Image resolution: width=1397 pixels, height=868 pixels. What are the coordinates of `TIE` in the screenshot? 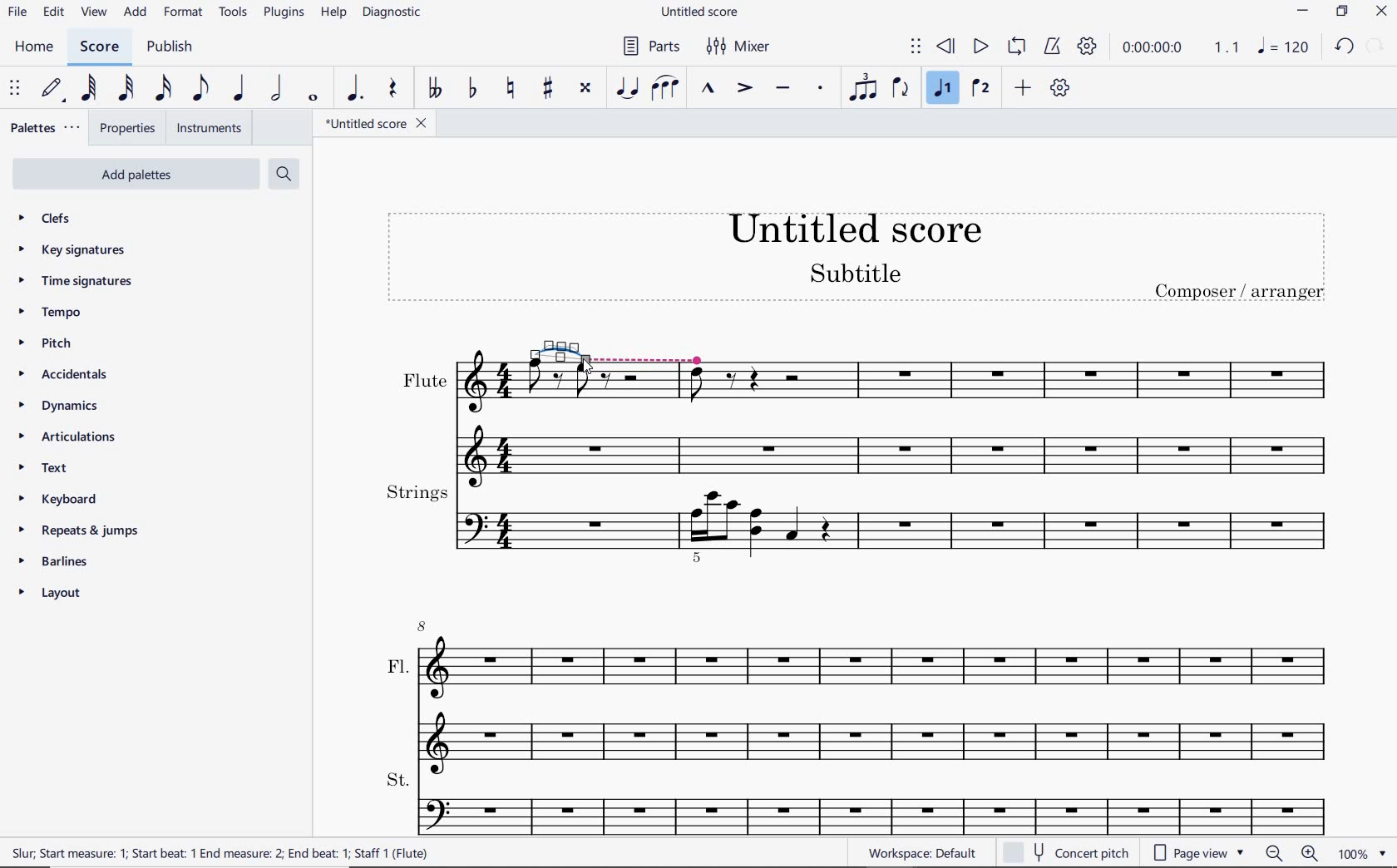 It's located at (626, 89).